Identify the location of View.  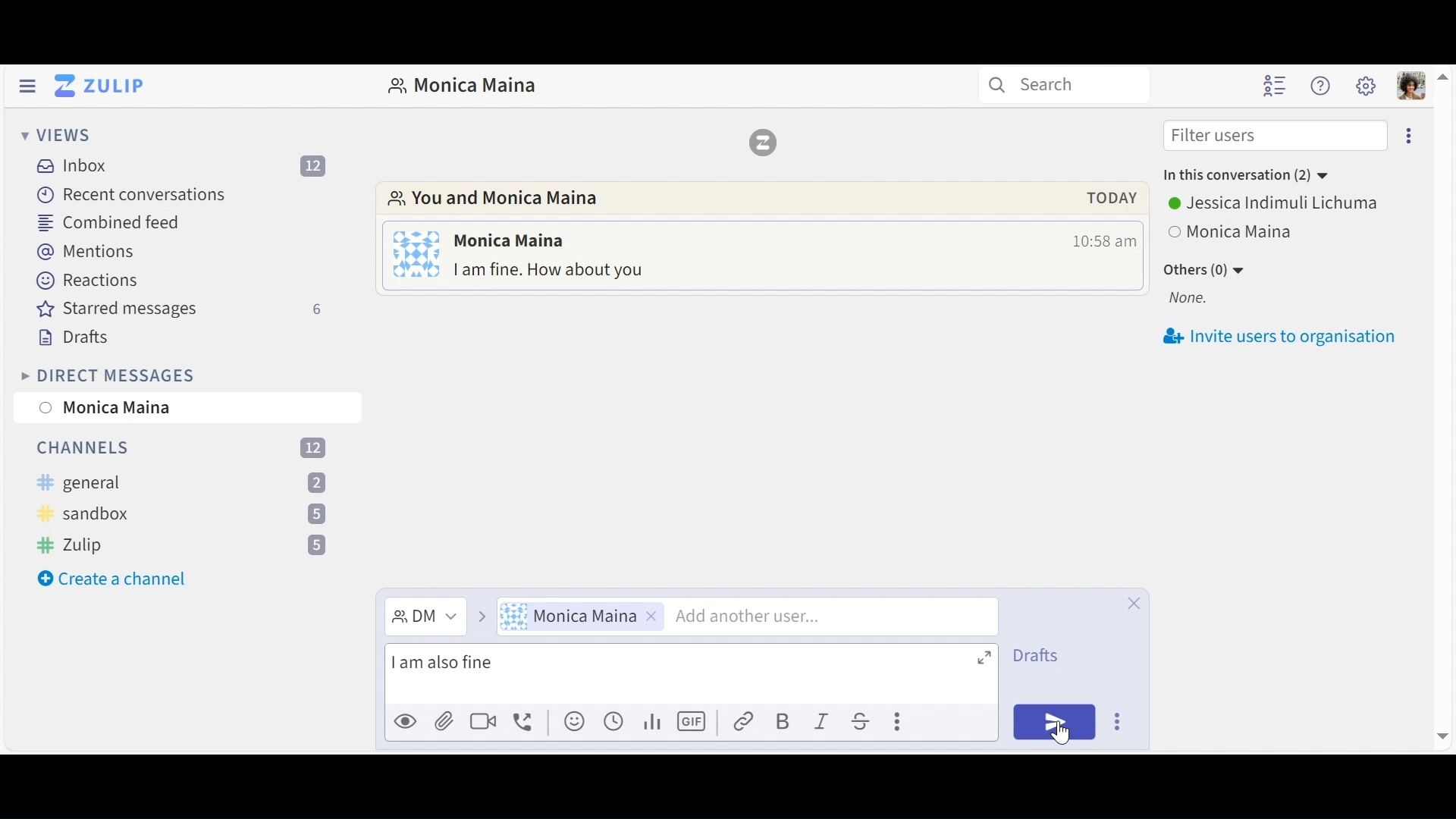
(53, 134).